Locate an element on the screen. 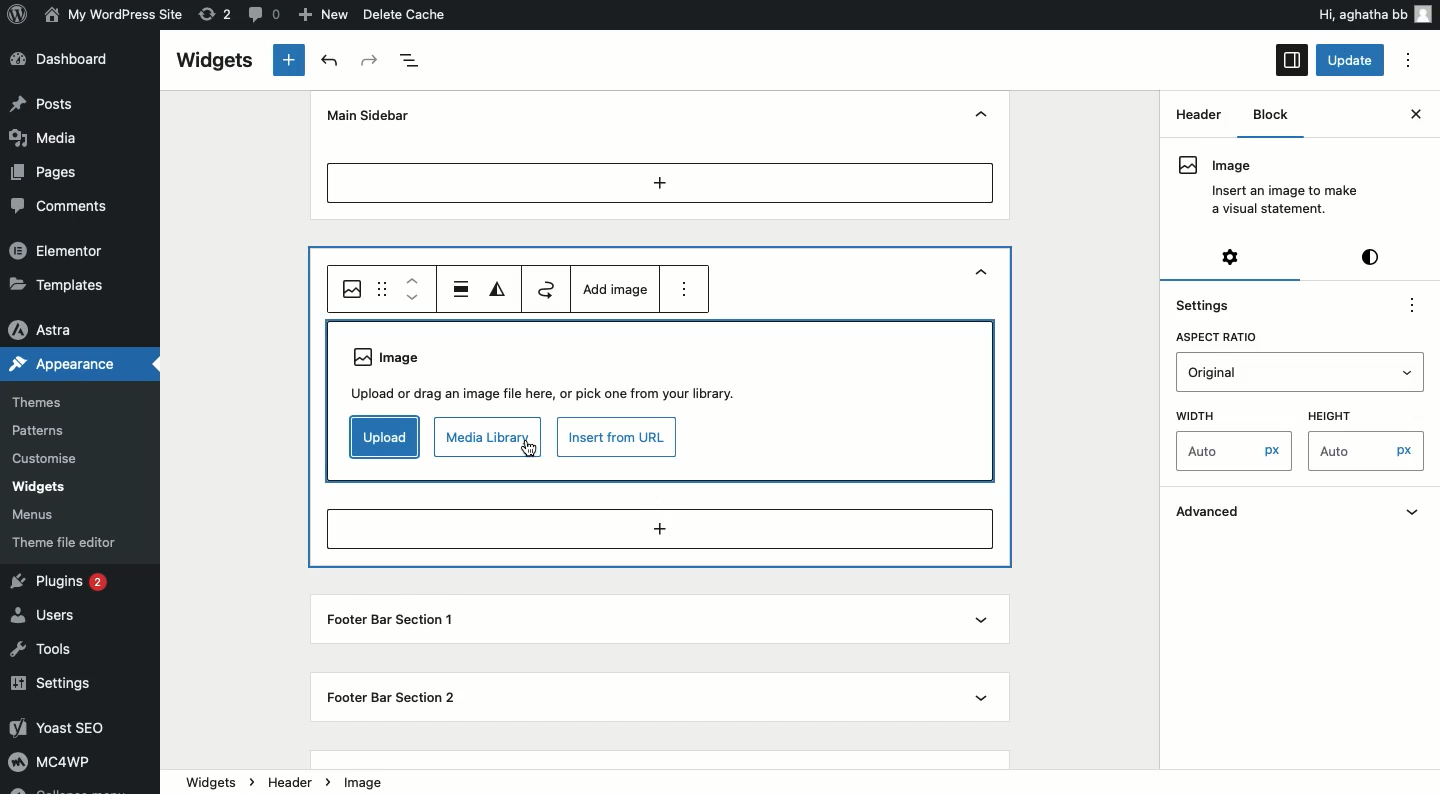 The width and height of the screenshot is (1440, 794). Image is located at coordinates (549, 372).